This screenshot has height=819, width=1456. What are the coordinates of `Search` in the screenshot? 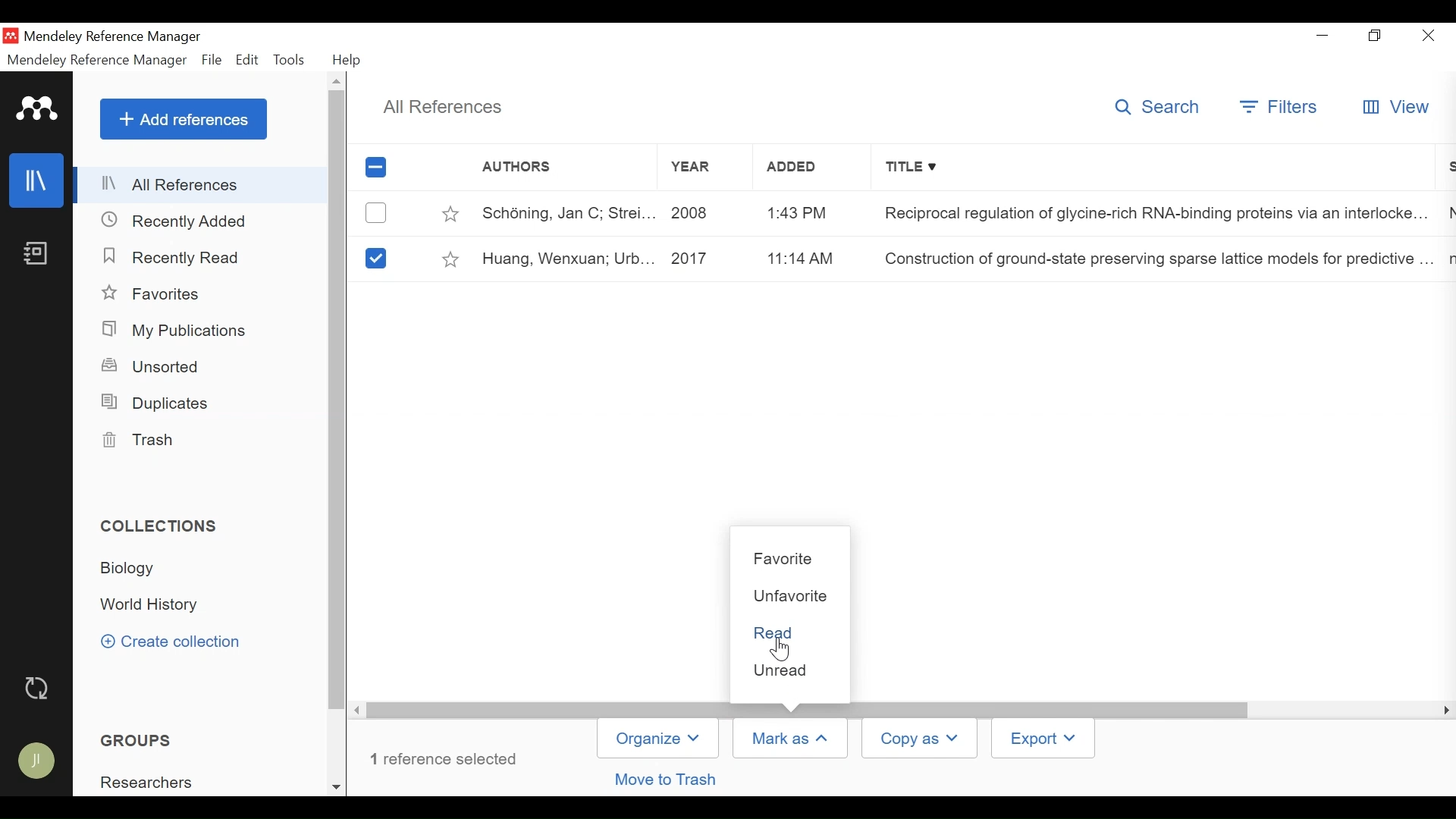 It's located at (1158, 108).